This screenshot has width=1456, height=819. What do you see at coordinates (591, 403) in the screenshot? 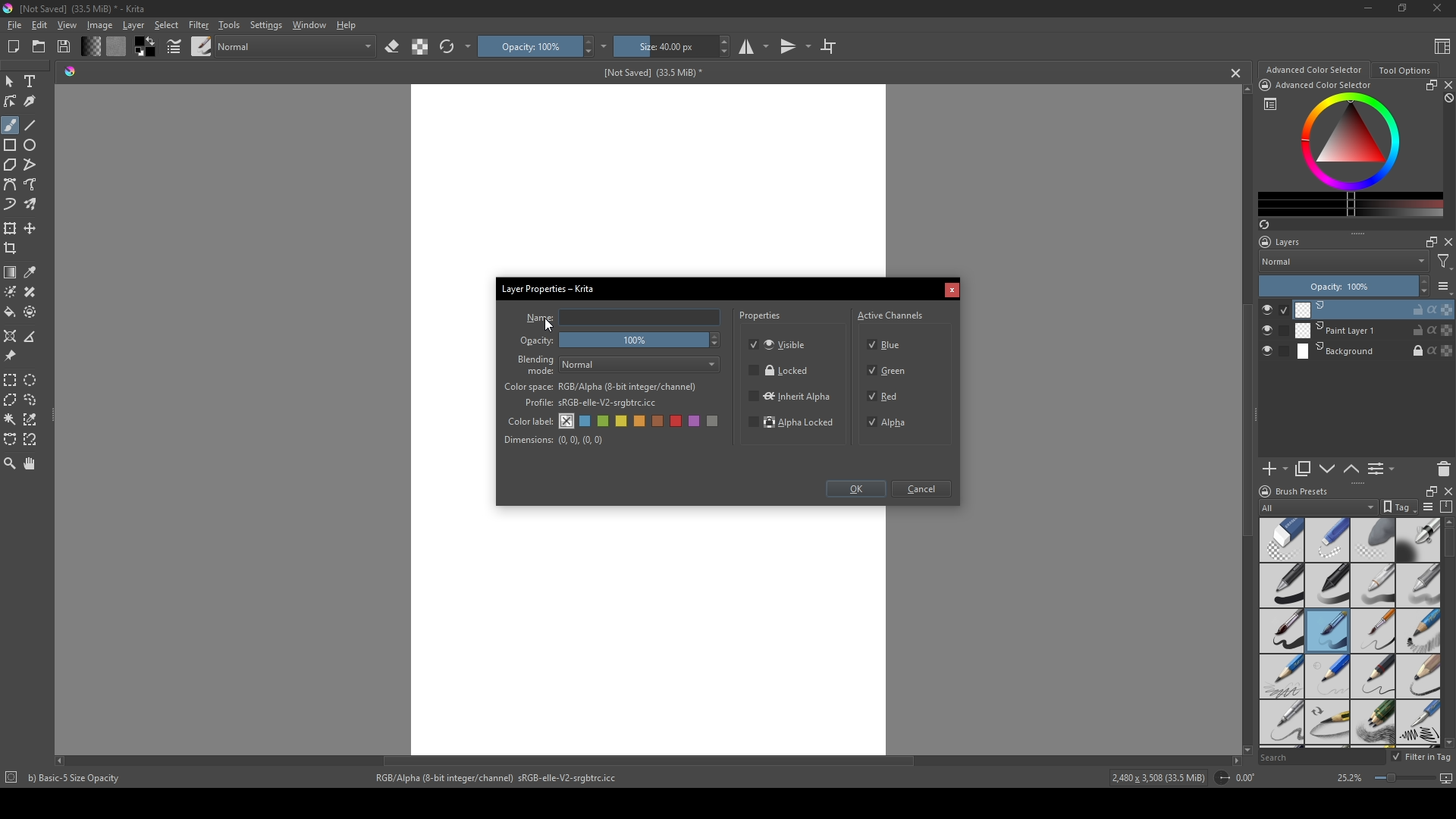
I see `Profile: sRGB-elle-V2-srgbtrc.icc` at bounding box center [591, 403].